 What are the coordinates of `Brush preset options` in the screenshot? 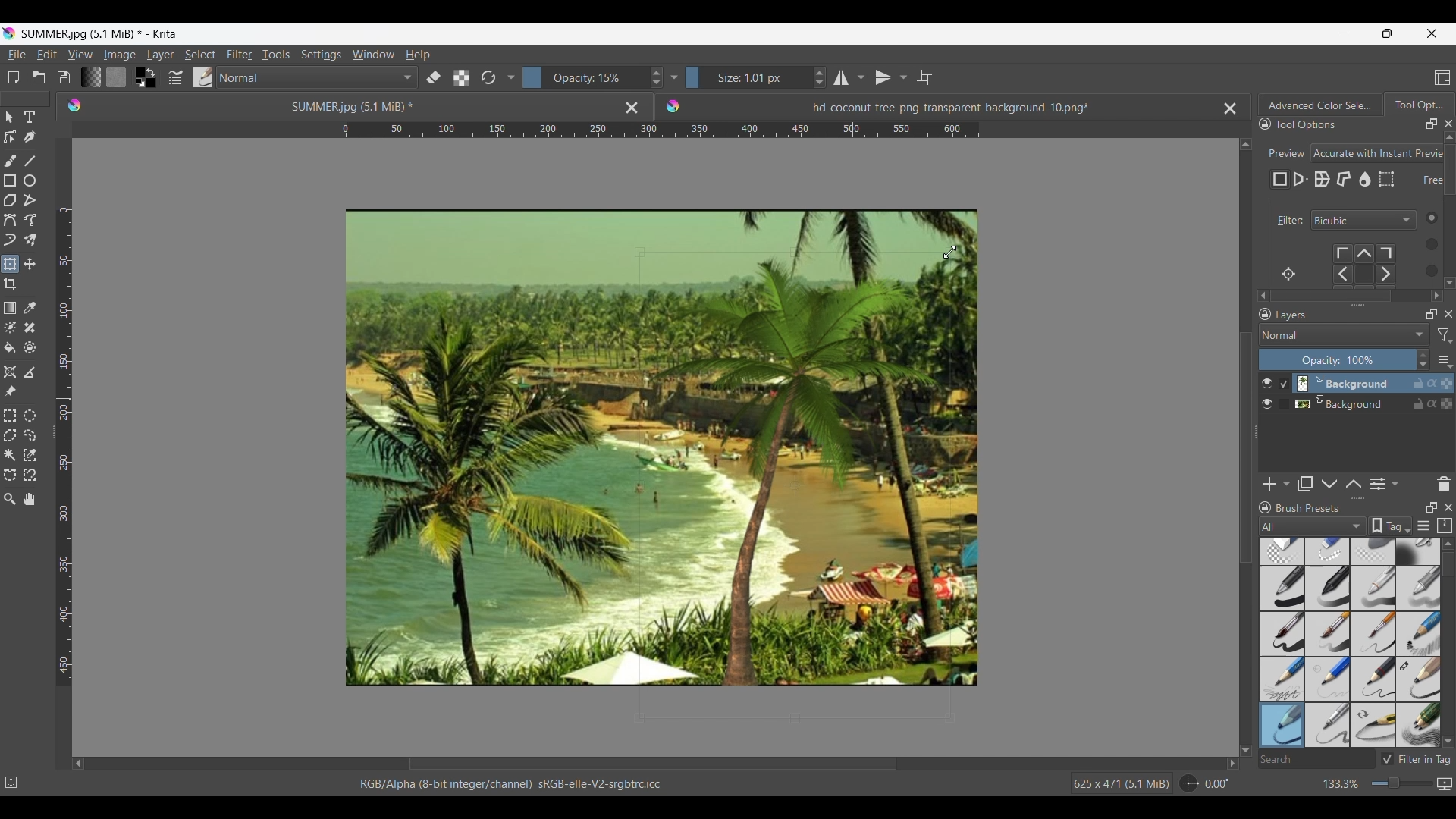 It's located at (1264, 526).